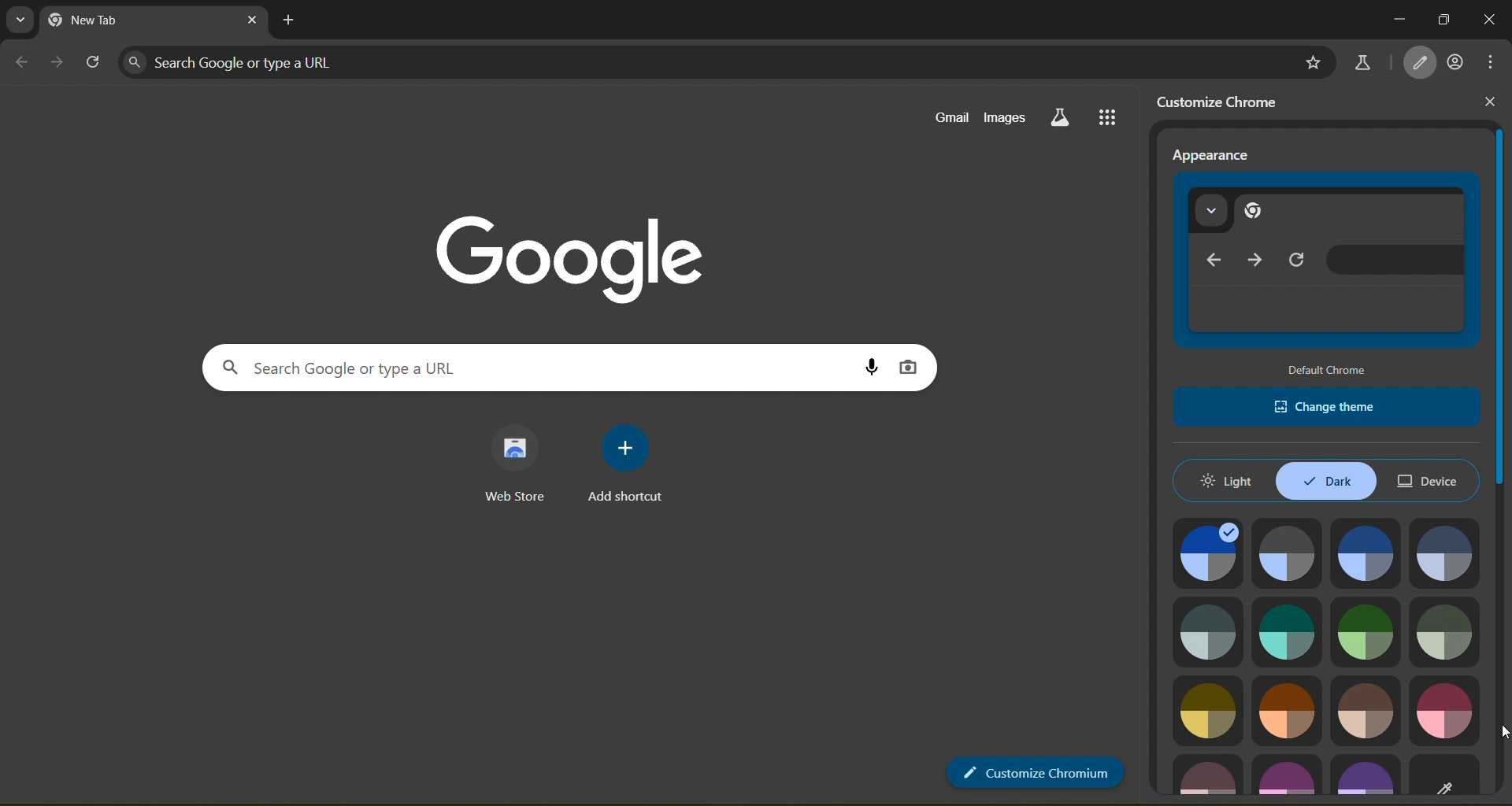 Image resolution: width=1512 pixels, height=806 pixels. Describe the element at coordinates (1455, 63) in the screenshot. I see `account` at that location.